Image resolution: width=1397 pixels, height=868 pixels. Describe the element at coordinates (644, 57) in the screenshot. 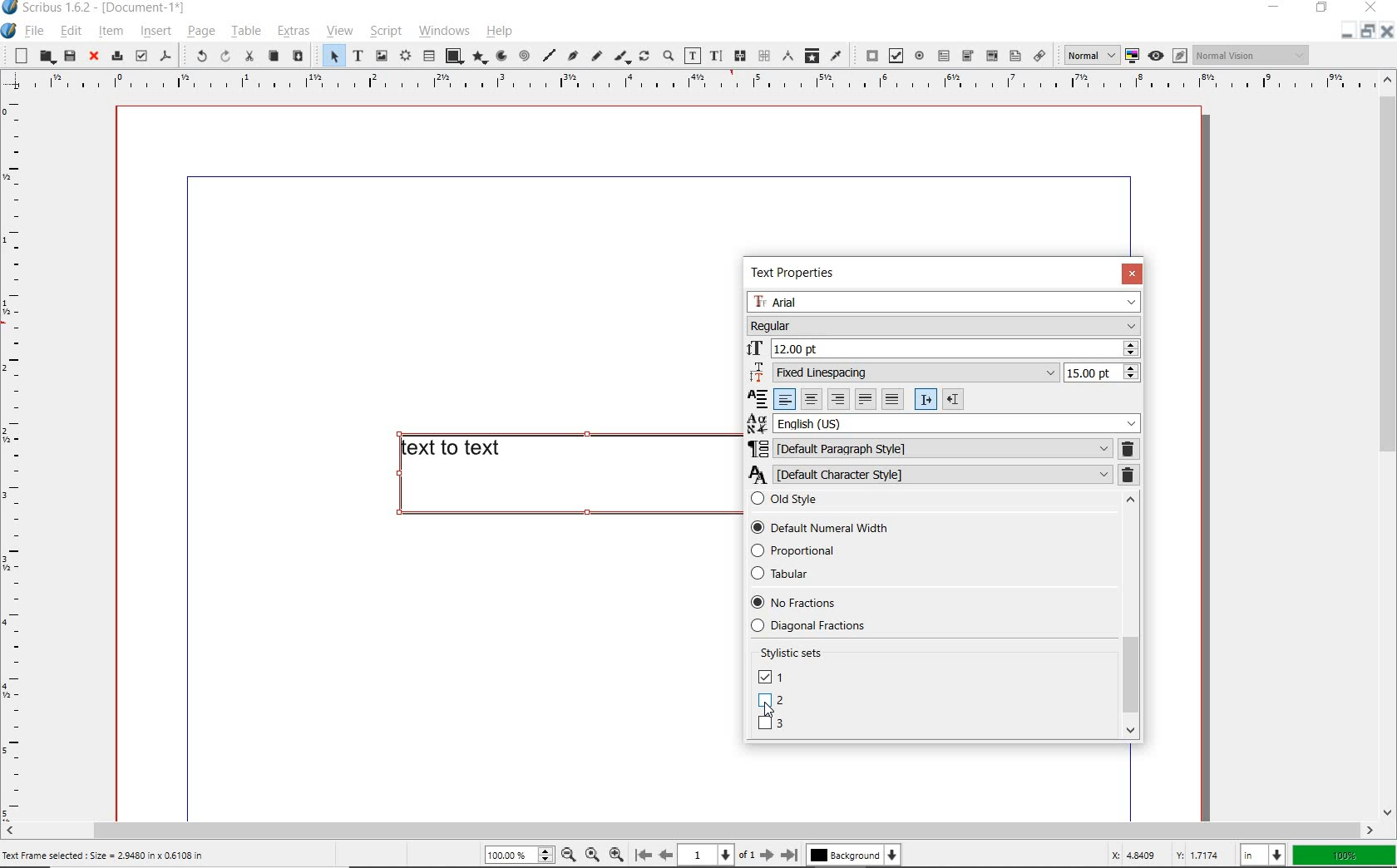

I see `rotate item` at that location.